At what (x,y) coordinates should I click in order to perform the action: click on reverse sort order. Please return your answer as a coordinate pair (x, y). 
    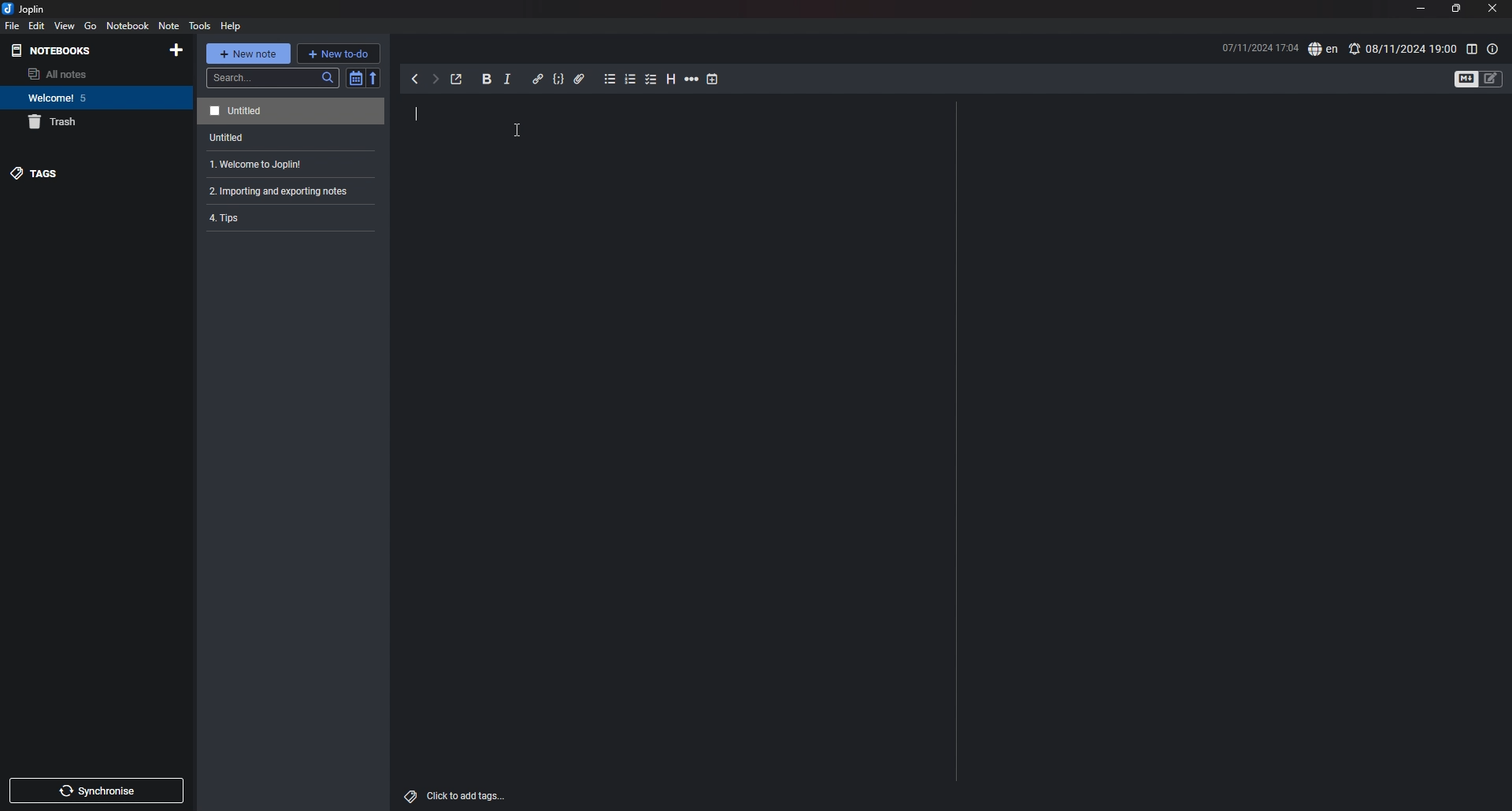
    Looking at the image, I should click on (374, 78).